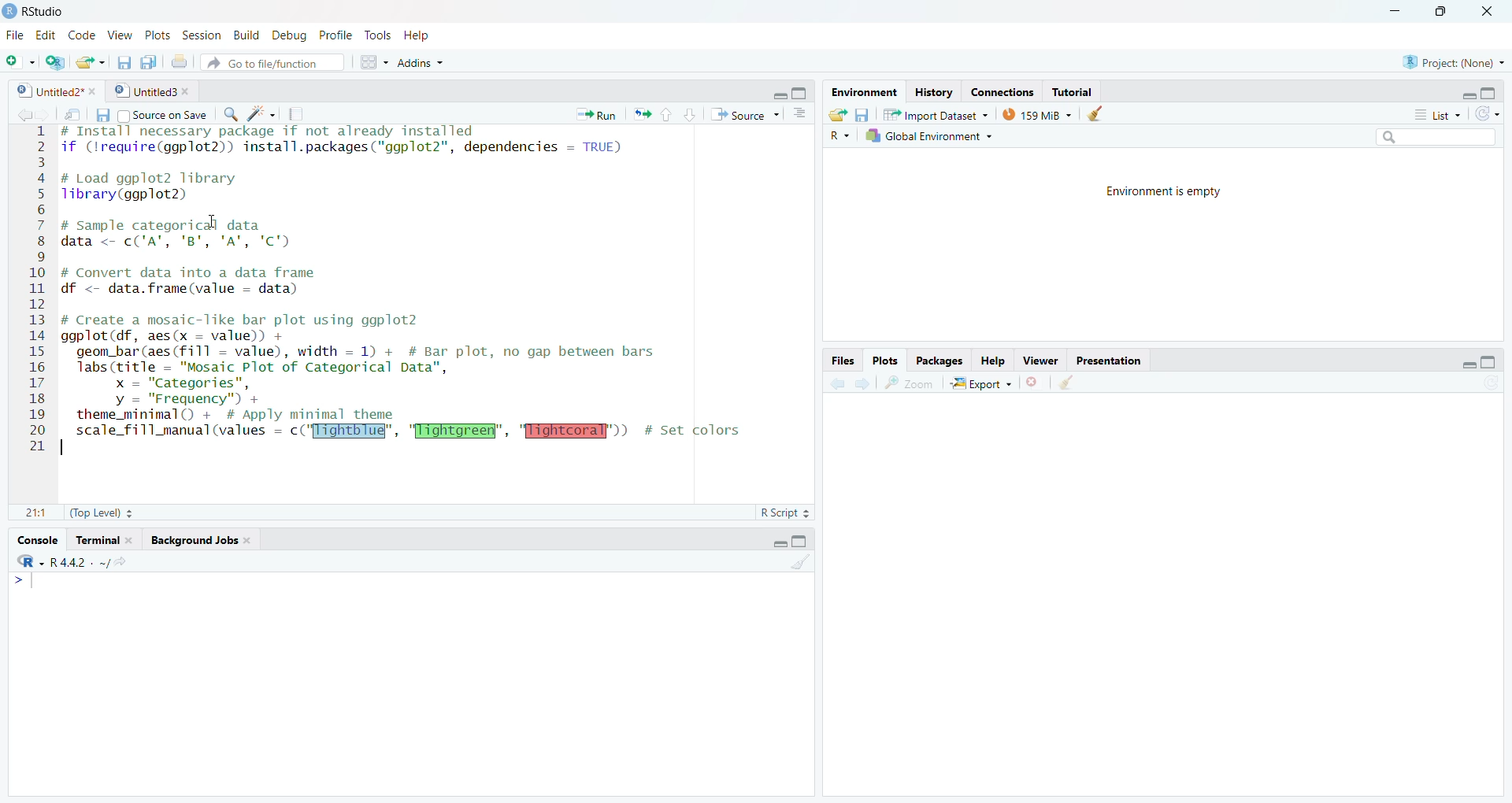  Describe the element at coordinates (13, 35) in the screenshot. I see `File` at that location.